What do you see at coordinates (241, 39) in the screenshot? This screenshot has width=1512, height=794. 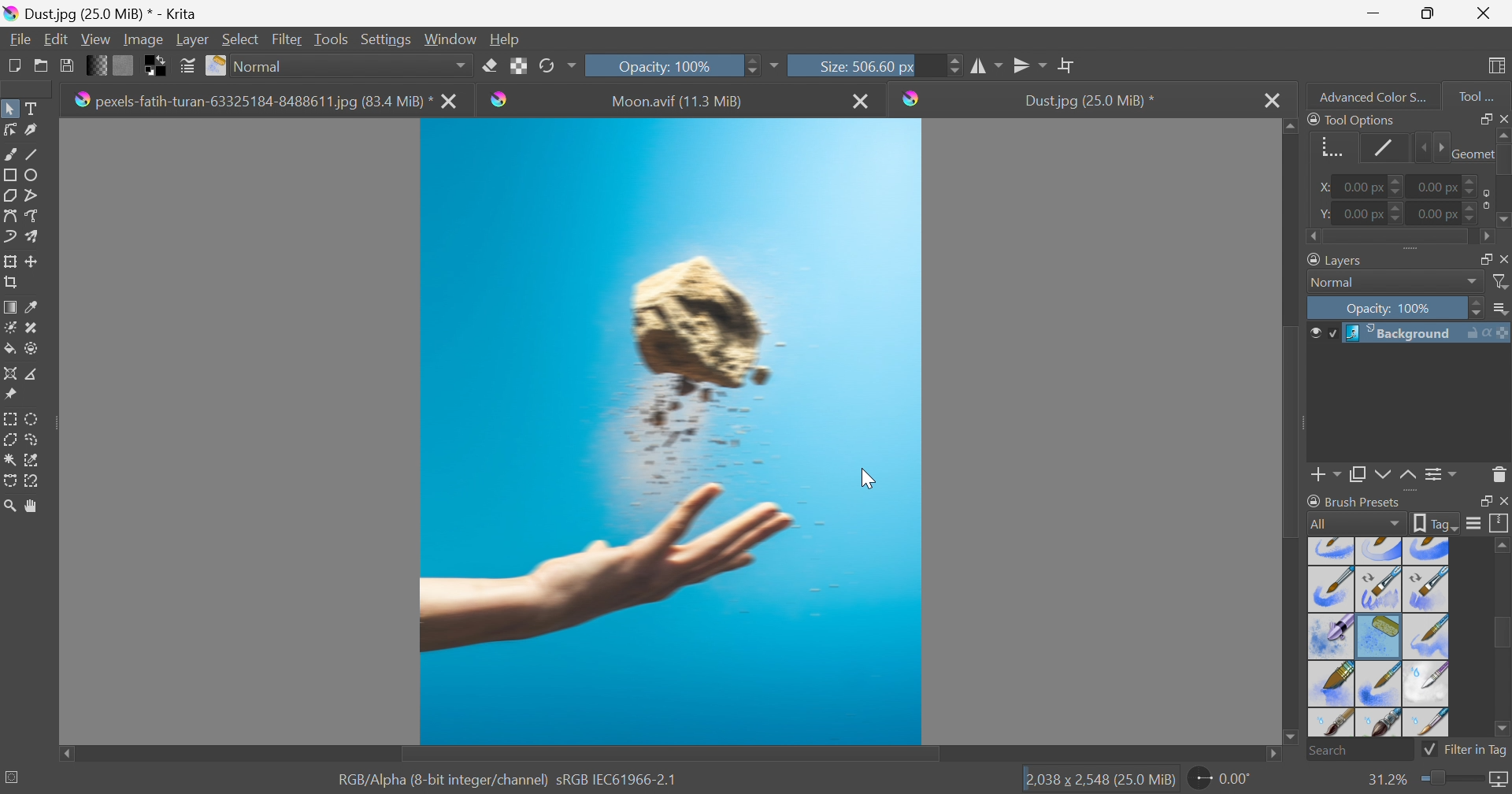 I see `Select` at bounding box center [241, 39].